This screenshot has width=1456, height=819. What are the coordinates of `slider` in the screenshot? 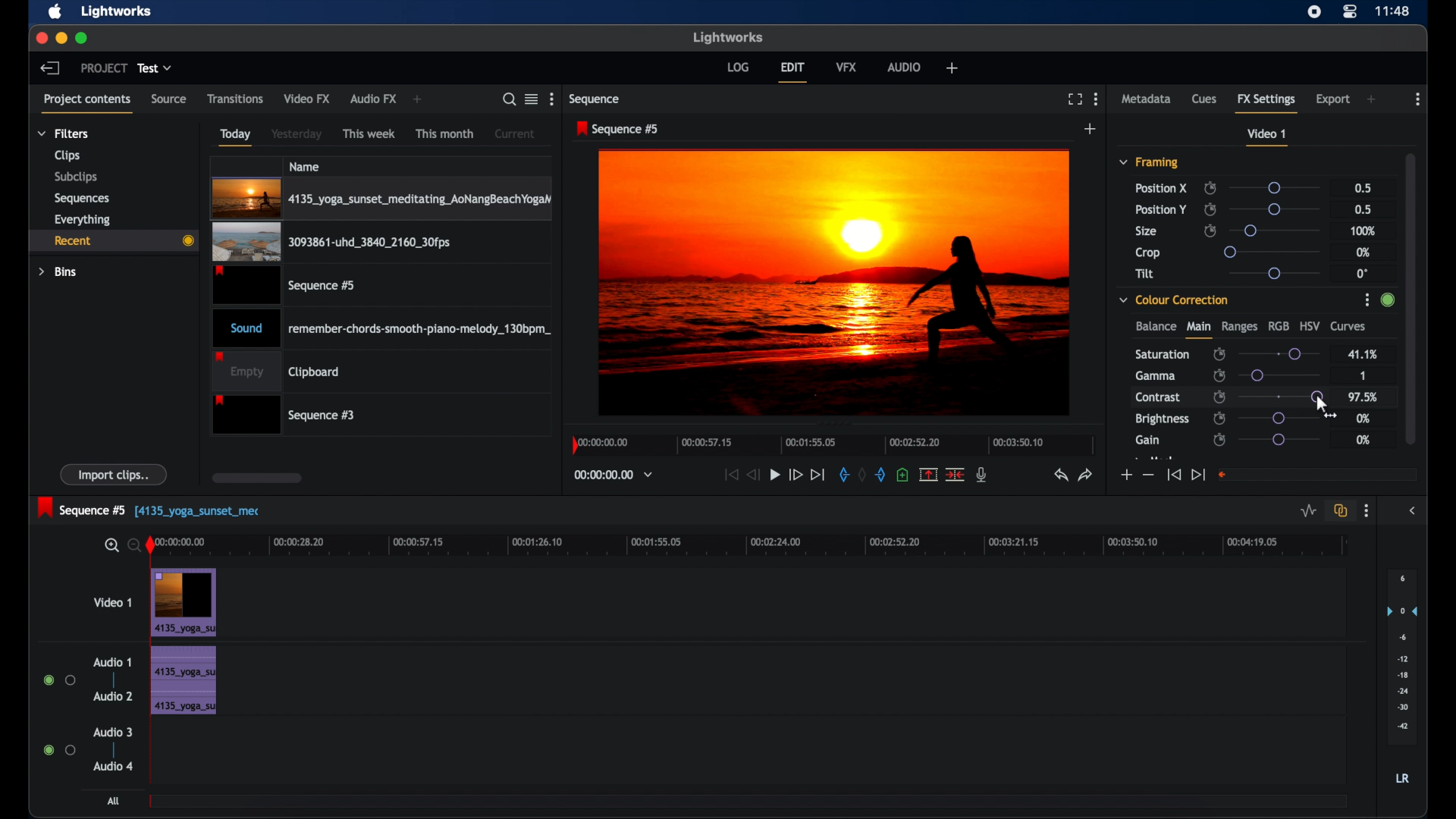 It's located at (1280, 397).